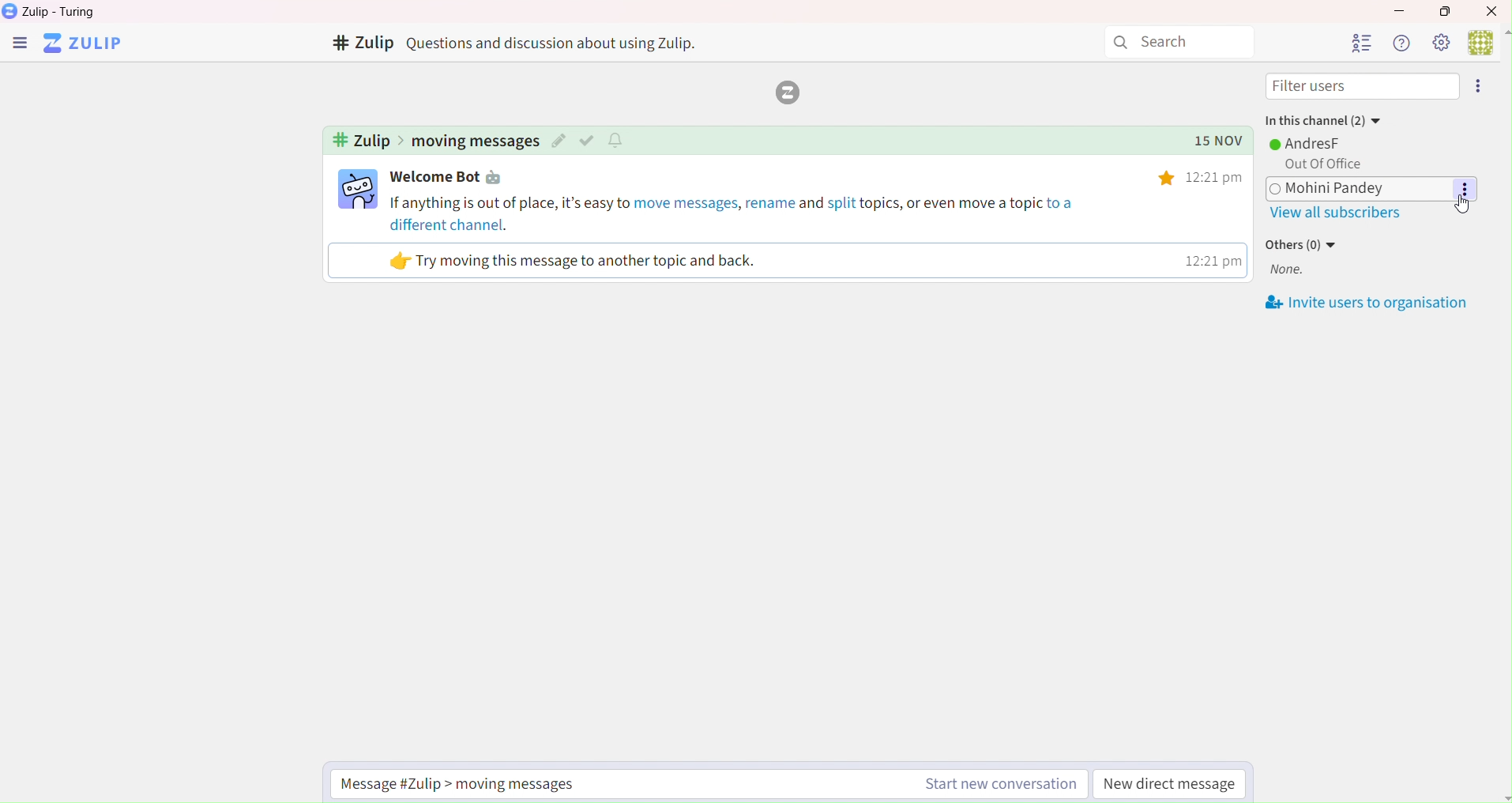  I want to click on Logo, so click(784, 93).